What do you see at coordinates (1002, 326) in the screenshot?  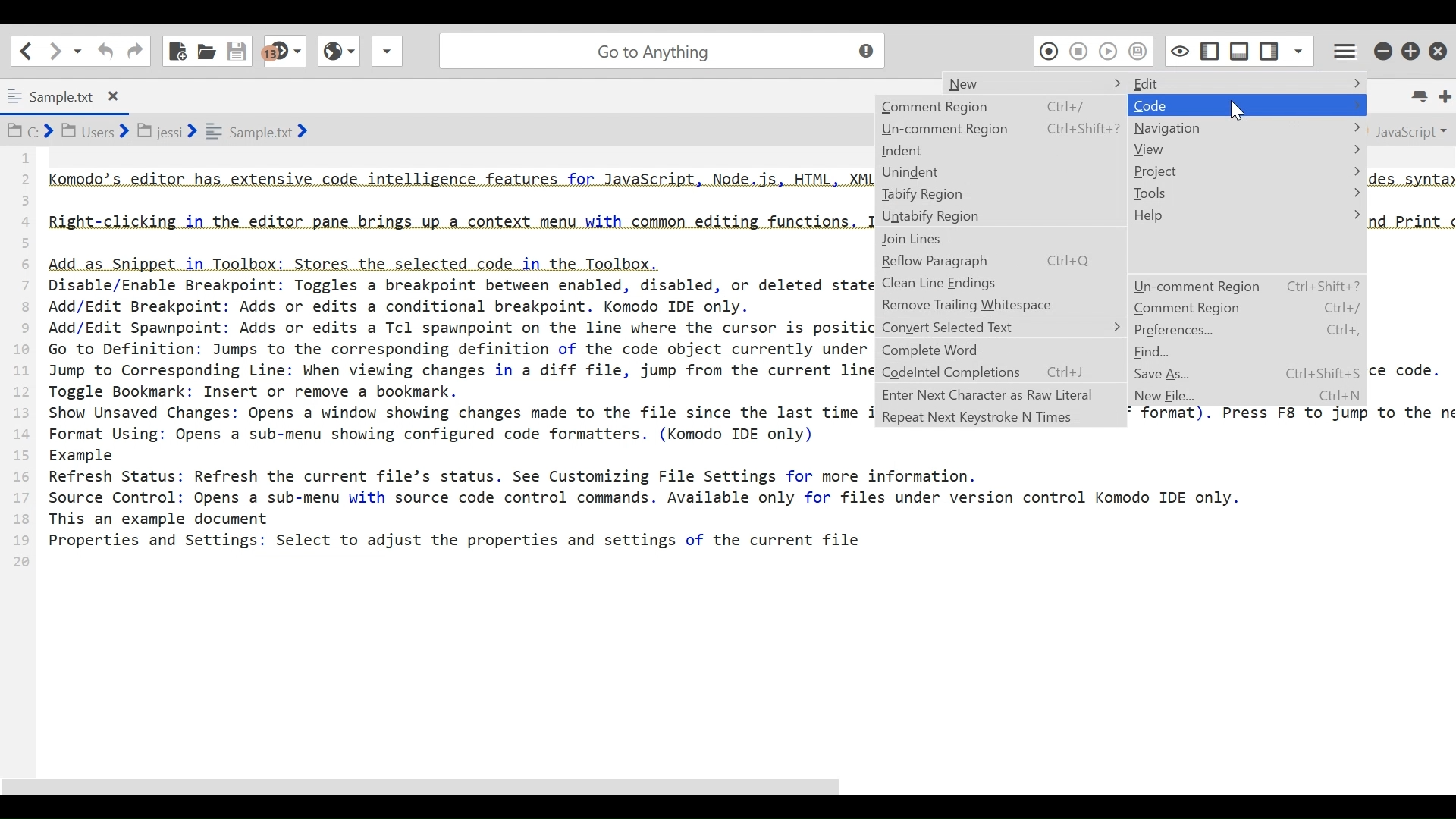 I see `Convert Selected Text` at bounding box center [1002, 326].